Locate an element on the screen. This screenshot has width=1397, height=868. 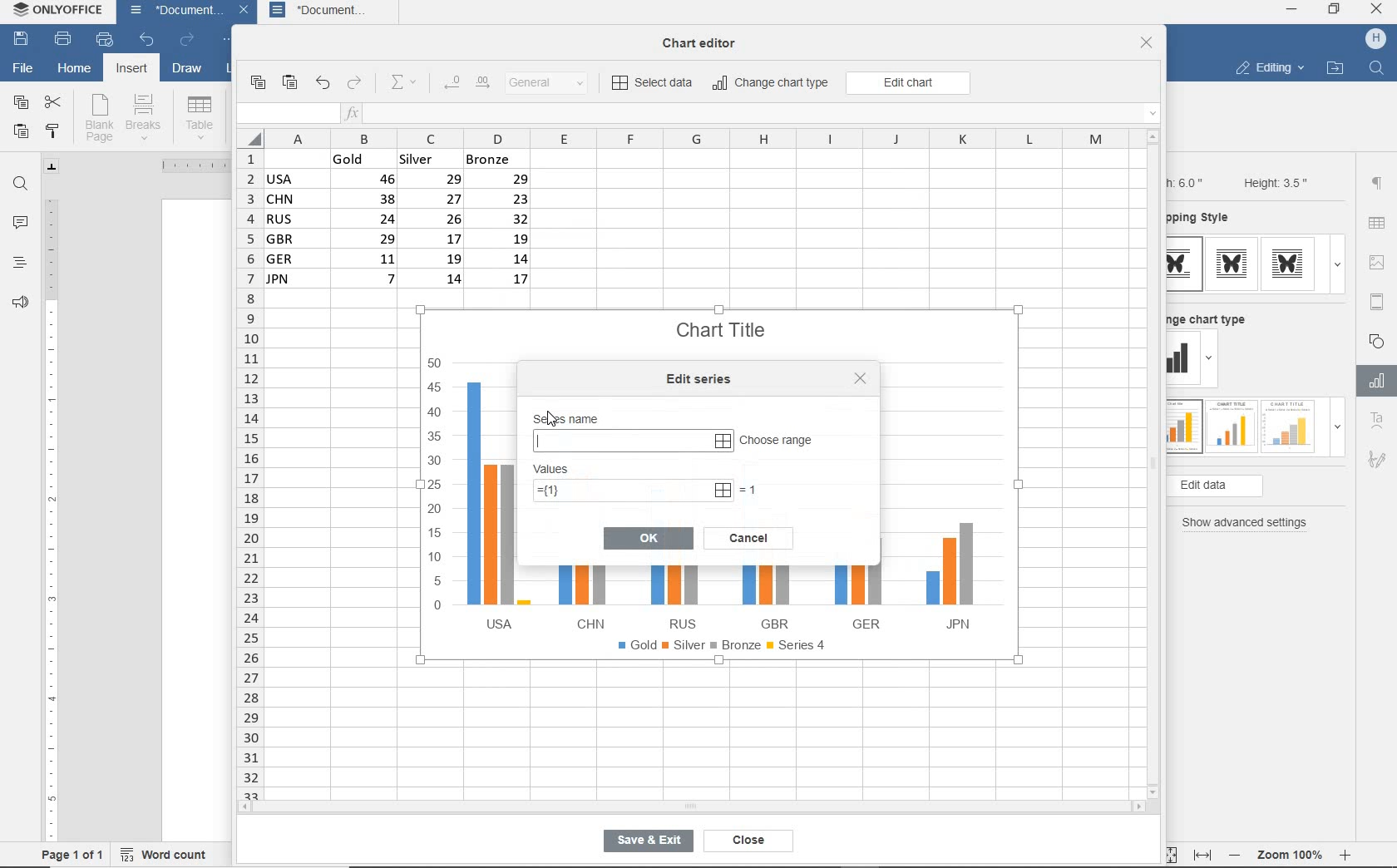
paste is located at coordinates (291, 83).